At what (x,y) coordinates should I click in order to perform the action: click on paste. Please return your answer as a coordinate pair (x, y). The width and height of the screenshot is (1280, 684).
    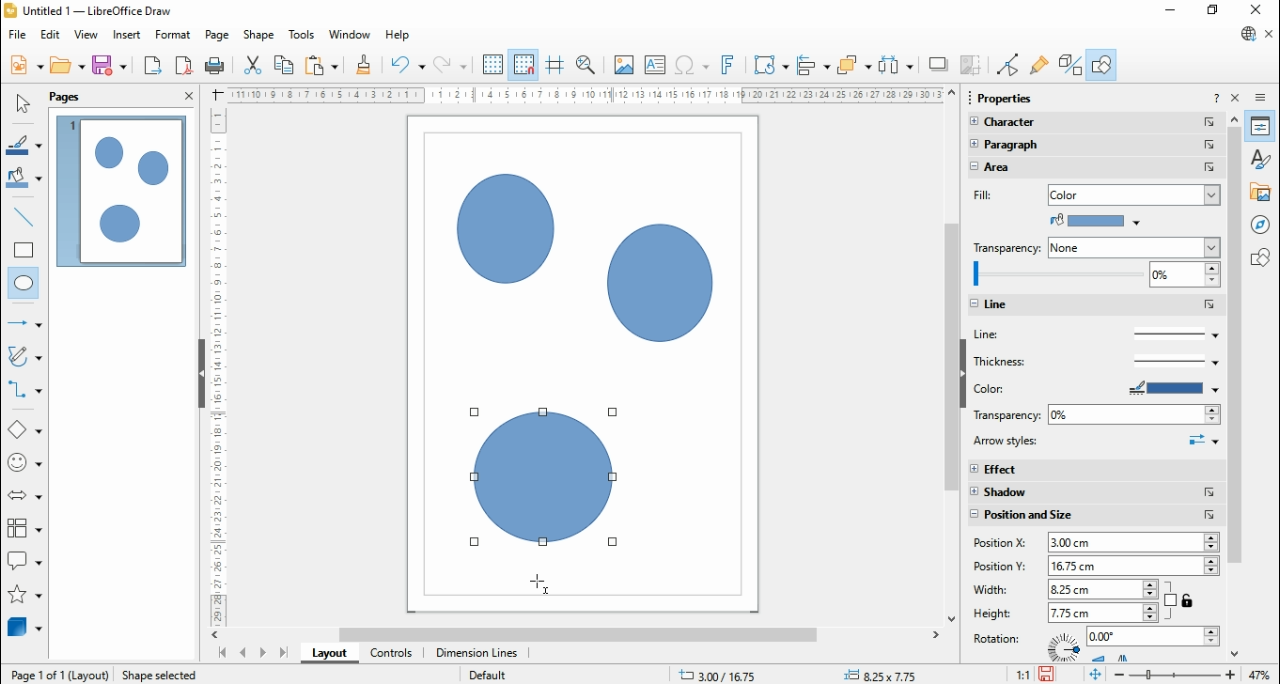
    Looking at the image, I should click on (320, 64).